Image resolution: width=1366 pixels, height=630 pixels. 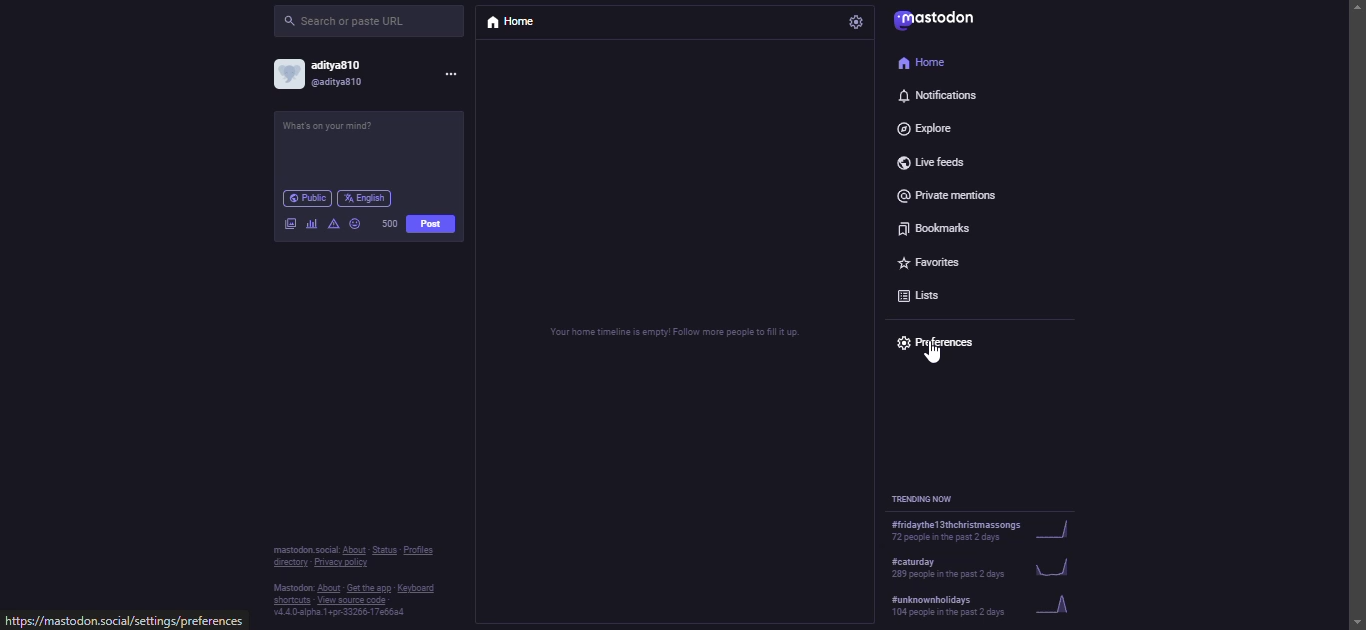 I want to click on website, so click(x=127, y=622).